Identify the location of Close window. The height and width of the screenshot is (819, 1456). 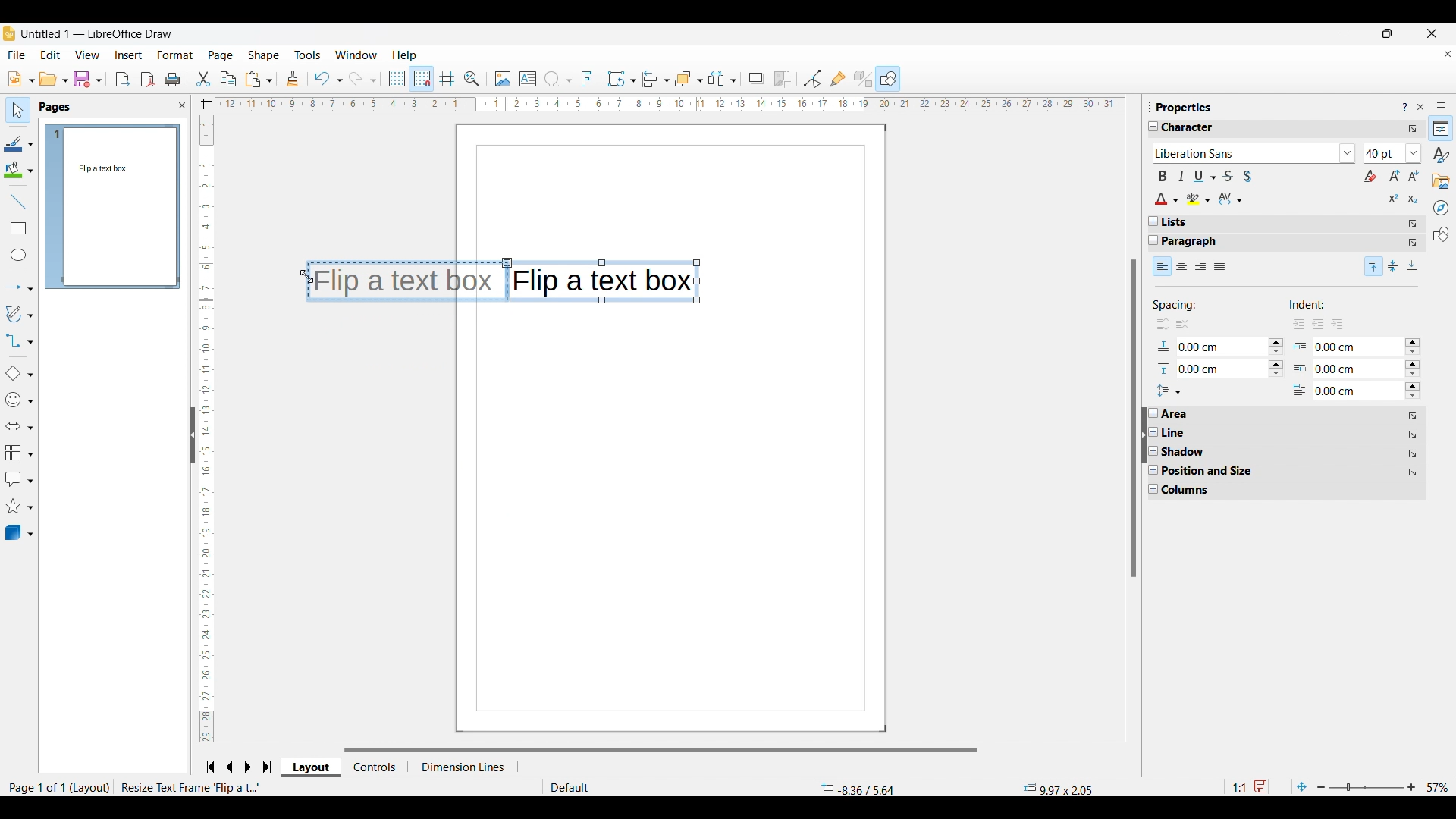
(1432, 33).